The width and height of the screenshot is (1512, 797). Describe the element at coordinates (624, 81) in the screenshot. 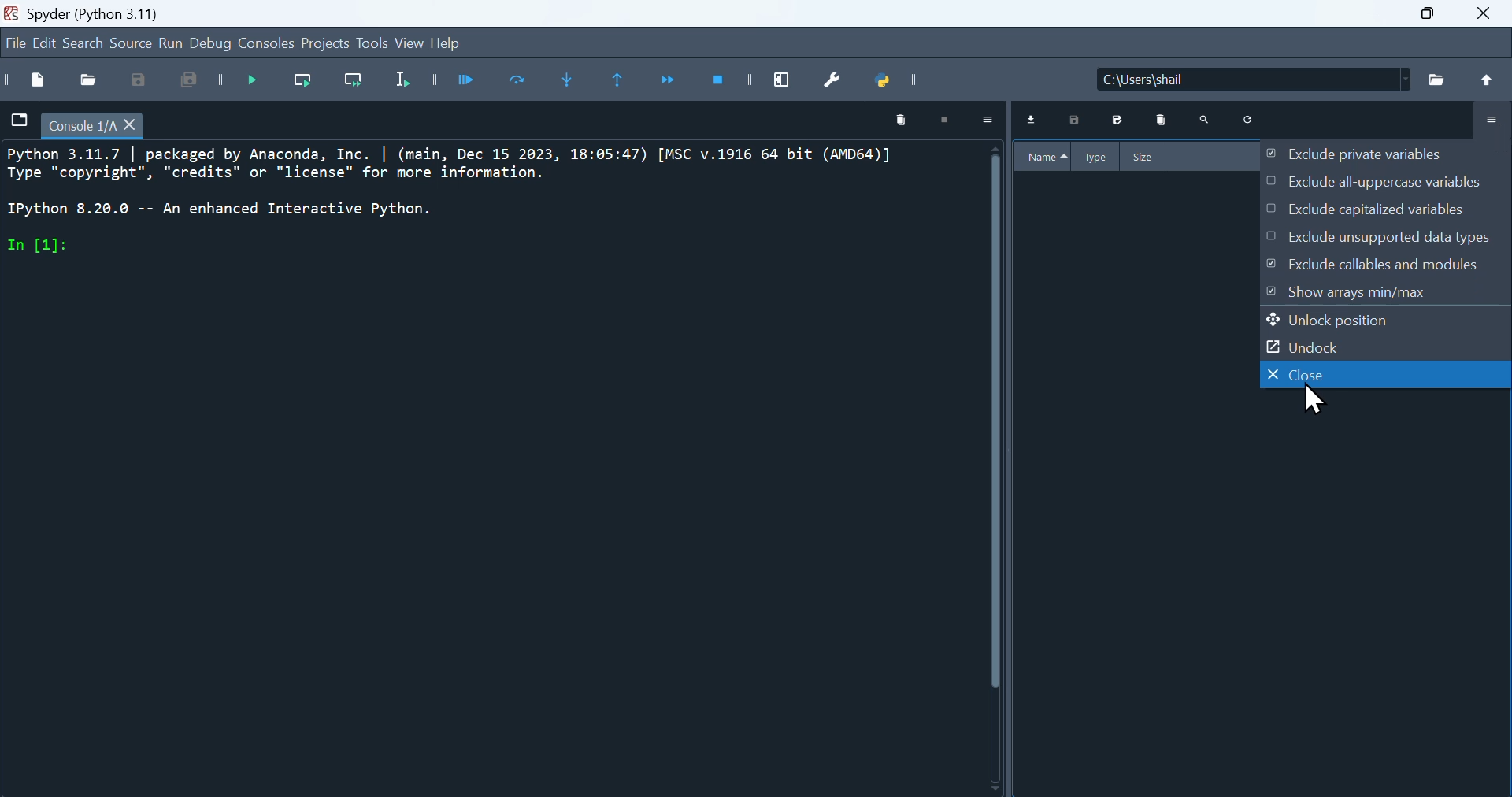

I see `Continue execution until same function returns` at that location.